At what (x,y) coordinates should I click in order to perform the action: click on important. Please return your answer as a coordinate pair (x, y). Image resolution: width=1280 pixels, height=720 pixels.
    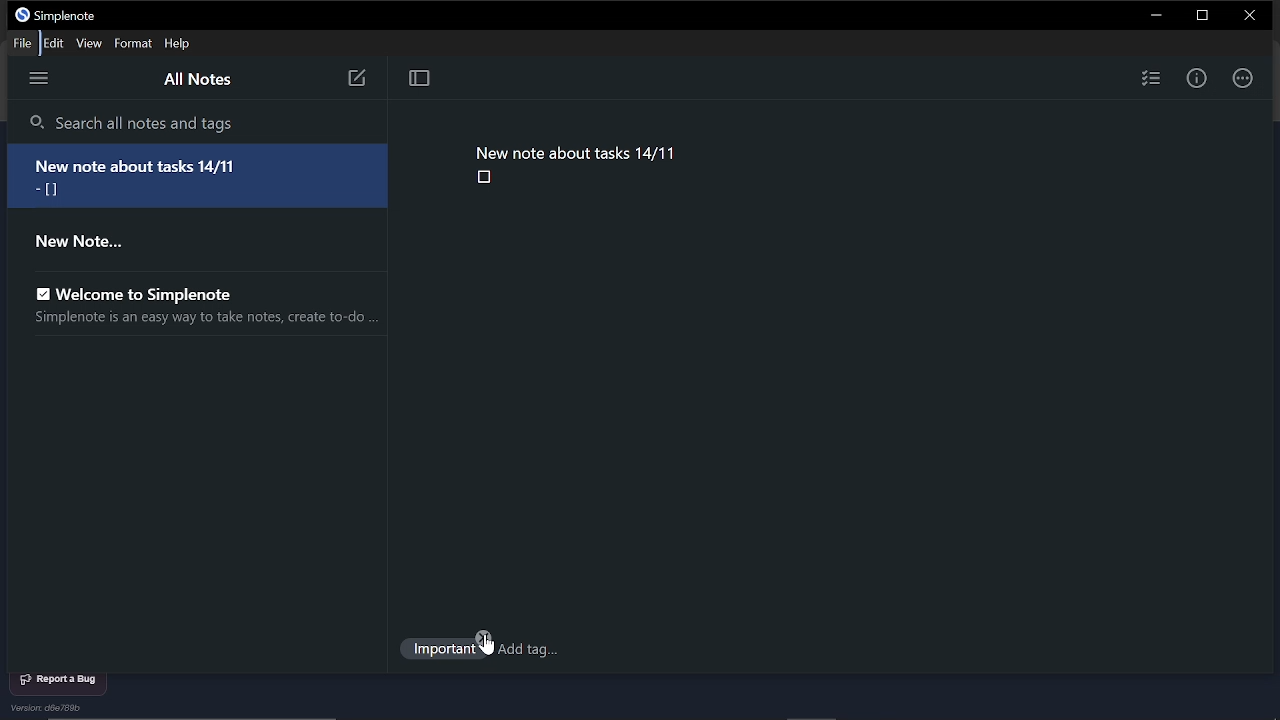
    Looking at the image, I should click on (444, 652).